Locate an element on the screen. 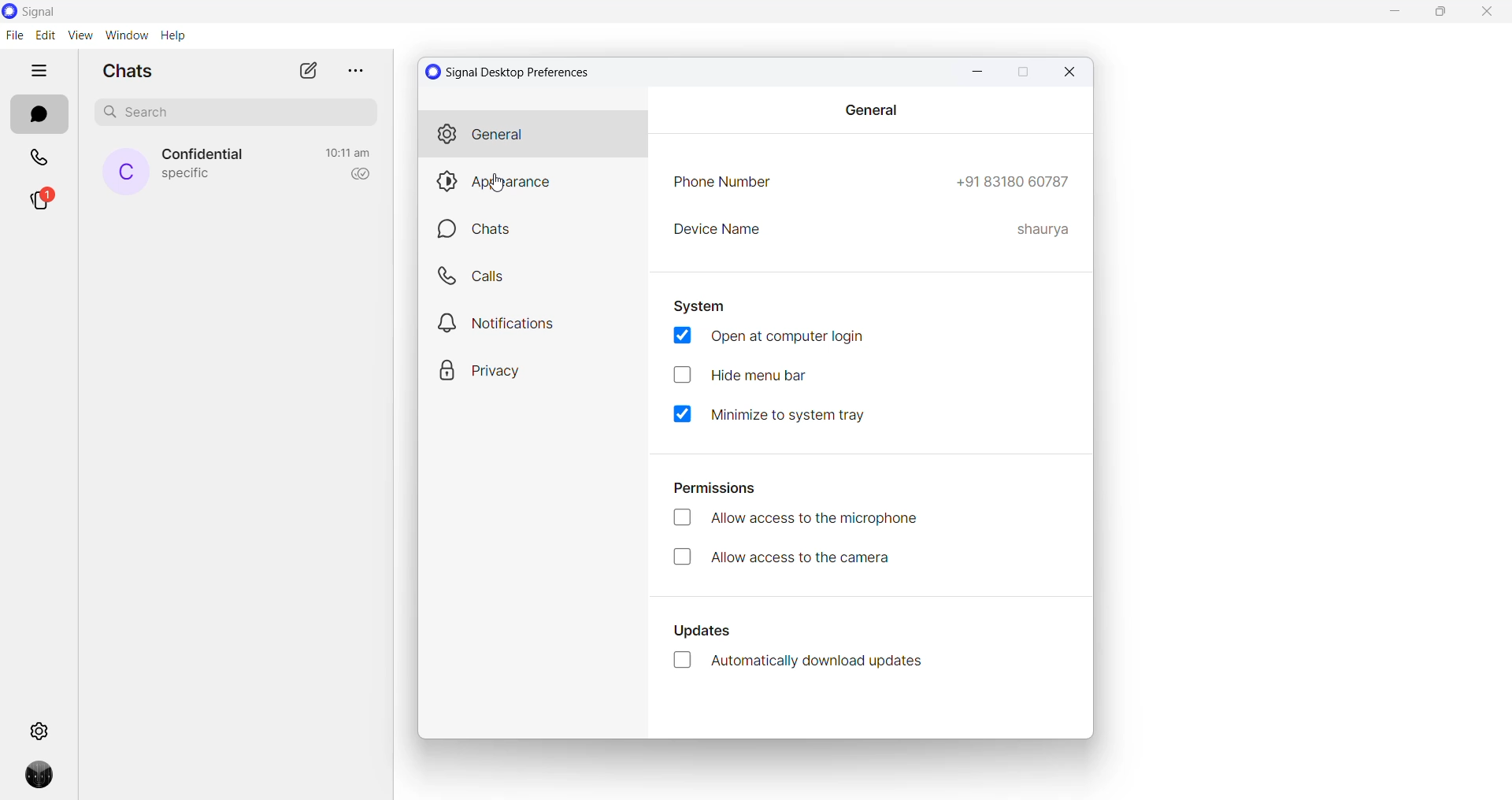 The height and width of the screenshot is (800, 1512). search chat is located at coordinates (242, 116).